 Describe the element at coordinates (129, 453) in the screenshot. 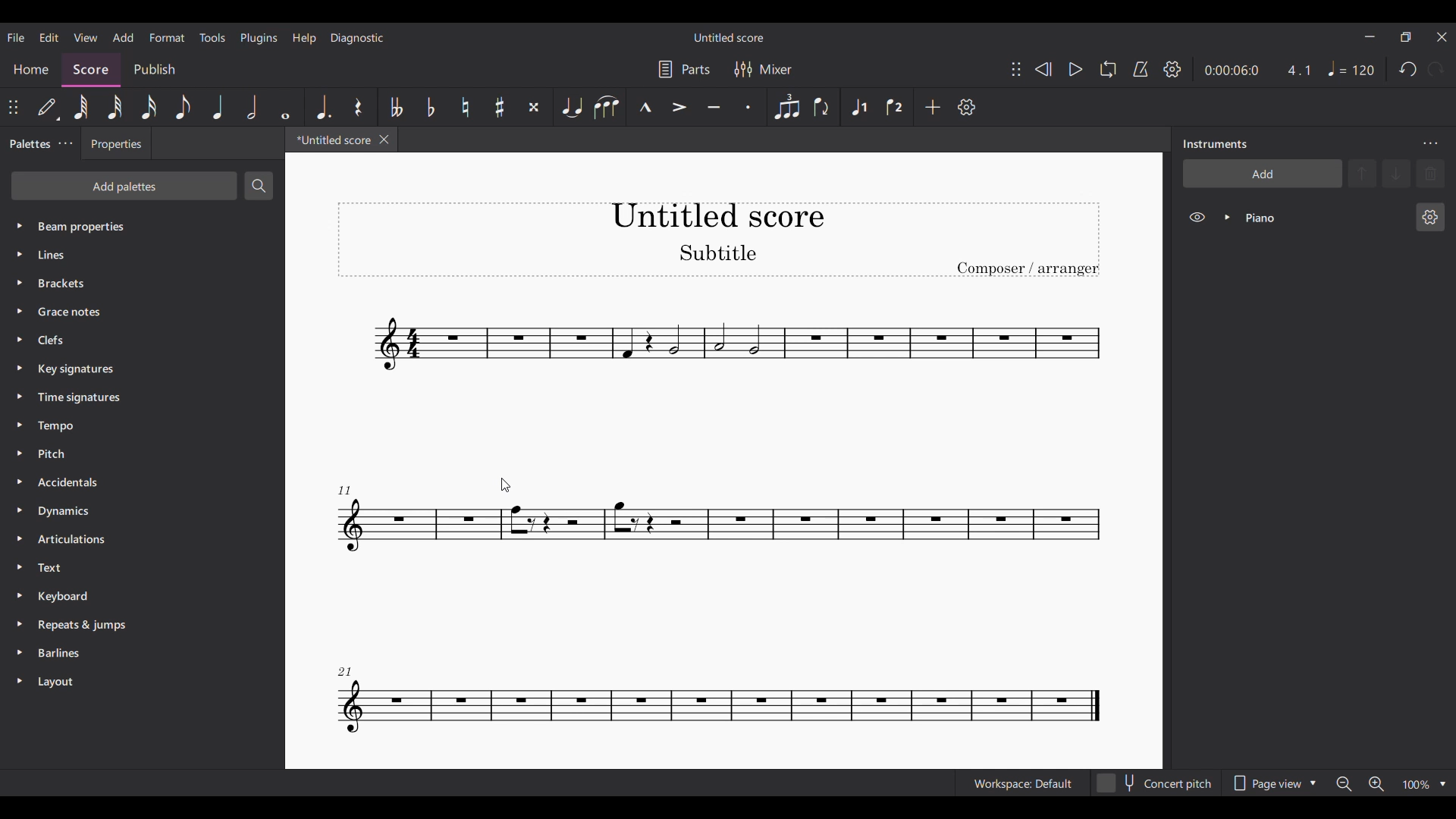

I see `Pitch` at that location.